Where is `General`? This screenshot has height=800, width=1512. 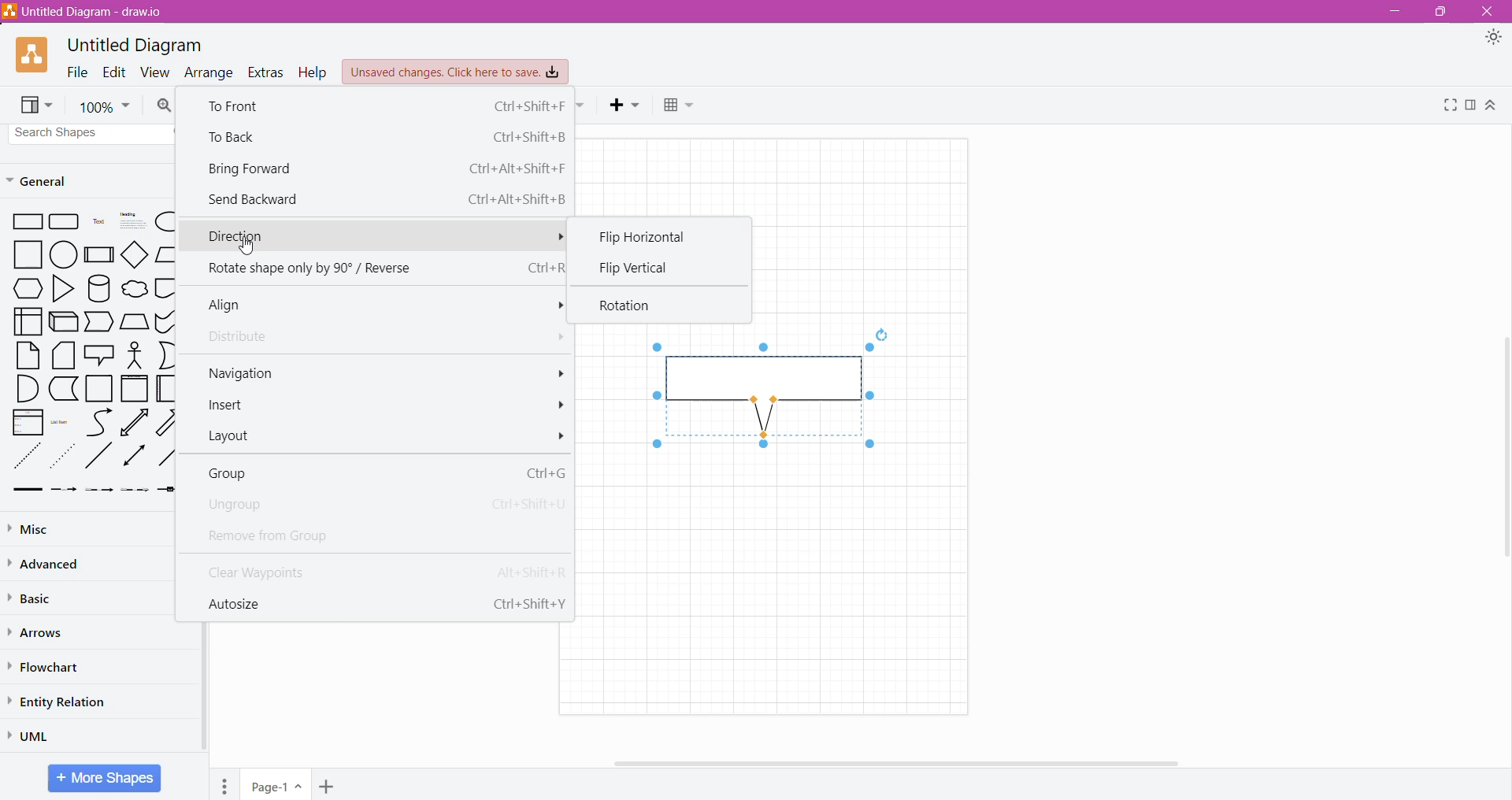 General is located at coordinates (47, 180).